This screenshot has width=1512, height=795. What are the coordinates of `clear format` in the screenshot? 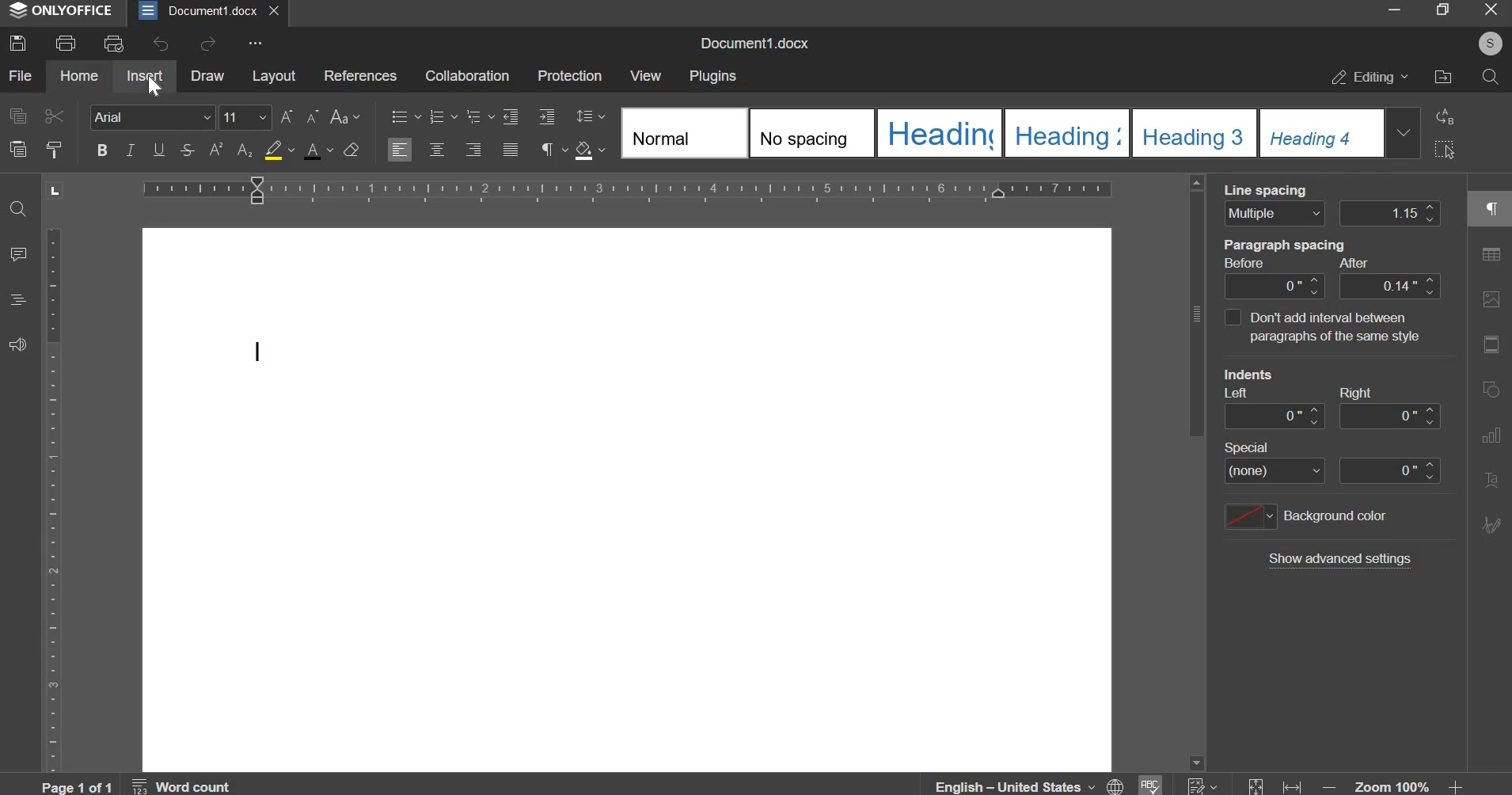 It's located at (351, 151).